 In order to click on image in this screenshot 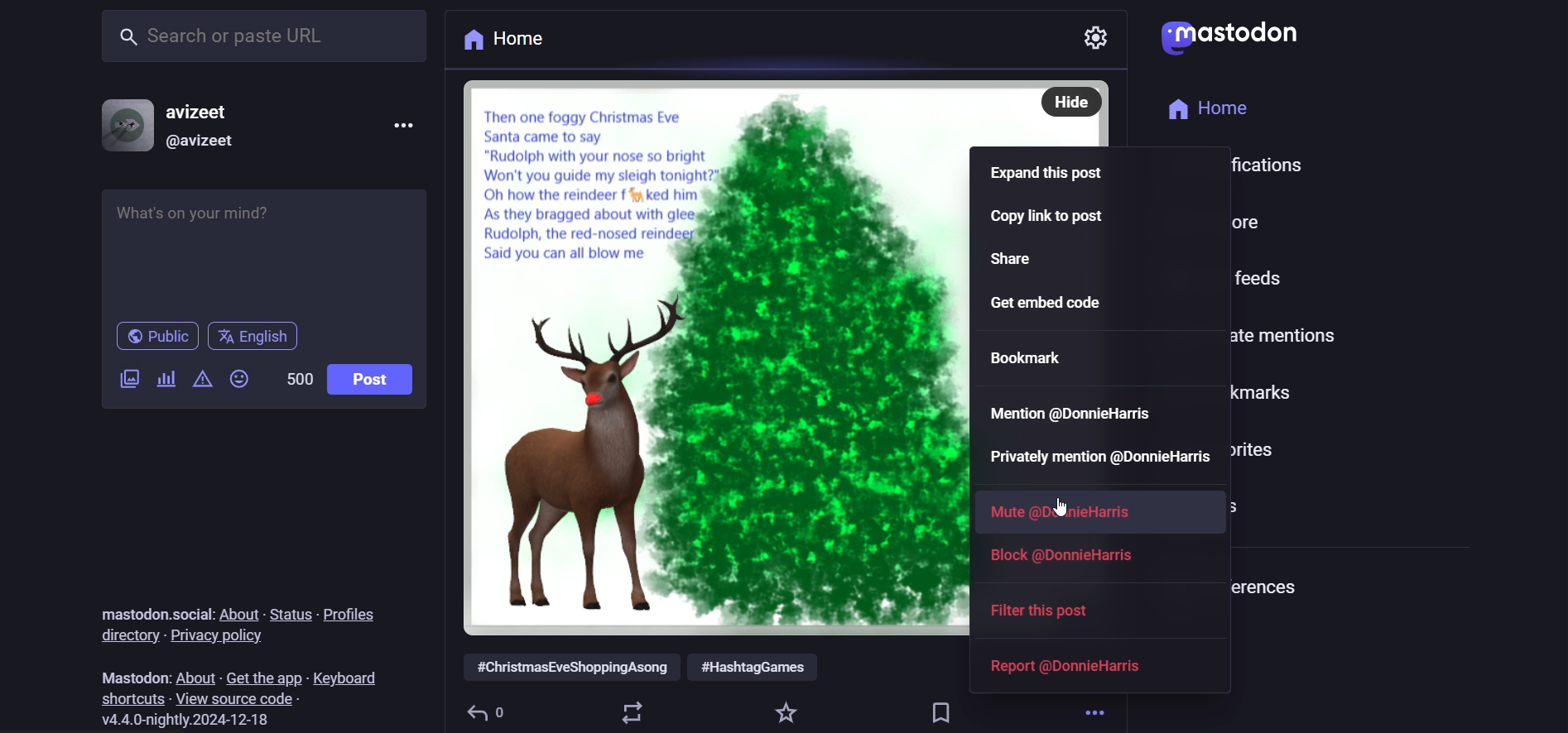, I will do `click(711, 358)`.